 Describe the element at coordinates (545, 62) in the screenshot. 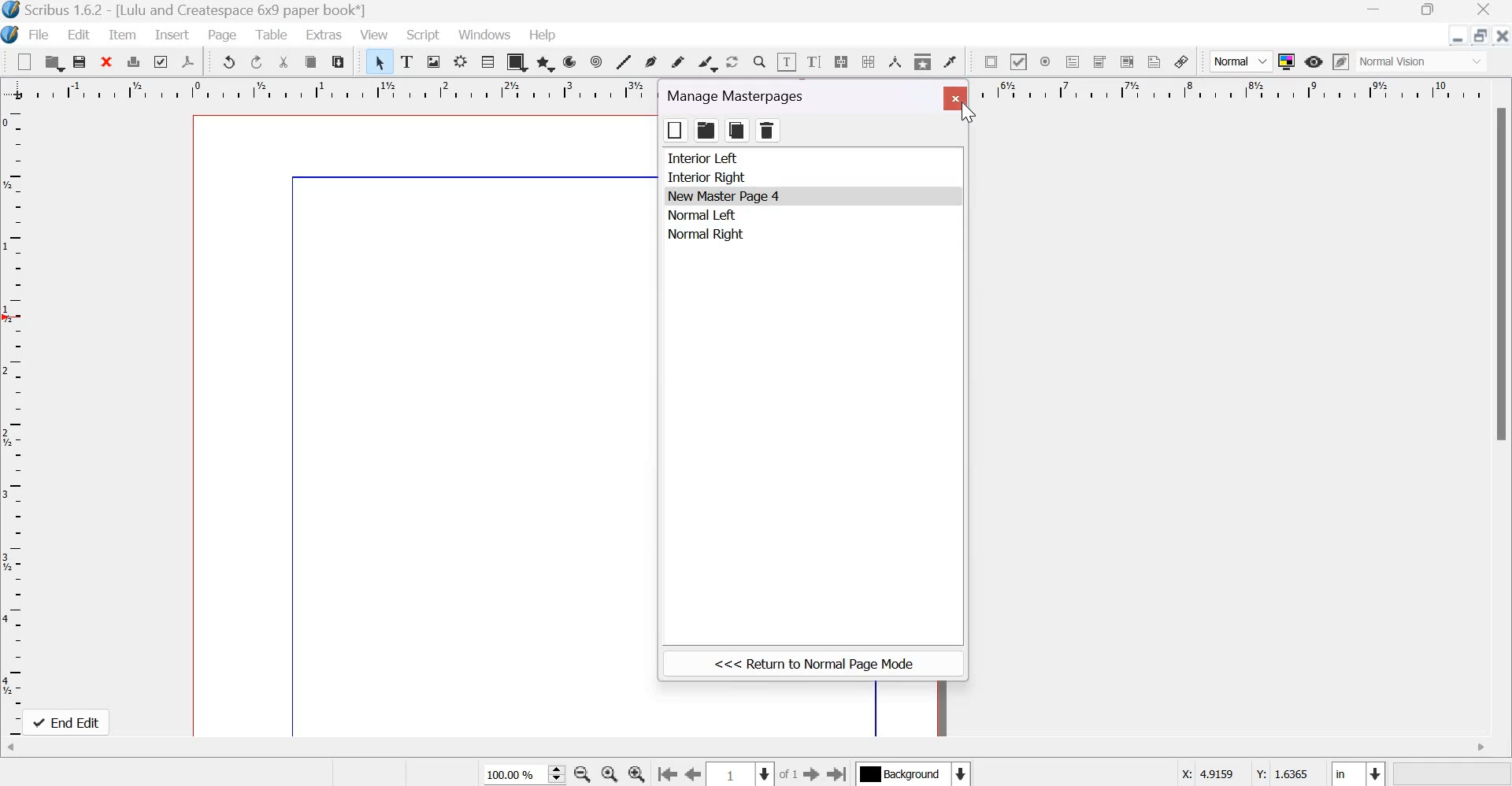

I see `polygon` at that location.